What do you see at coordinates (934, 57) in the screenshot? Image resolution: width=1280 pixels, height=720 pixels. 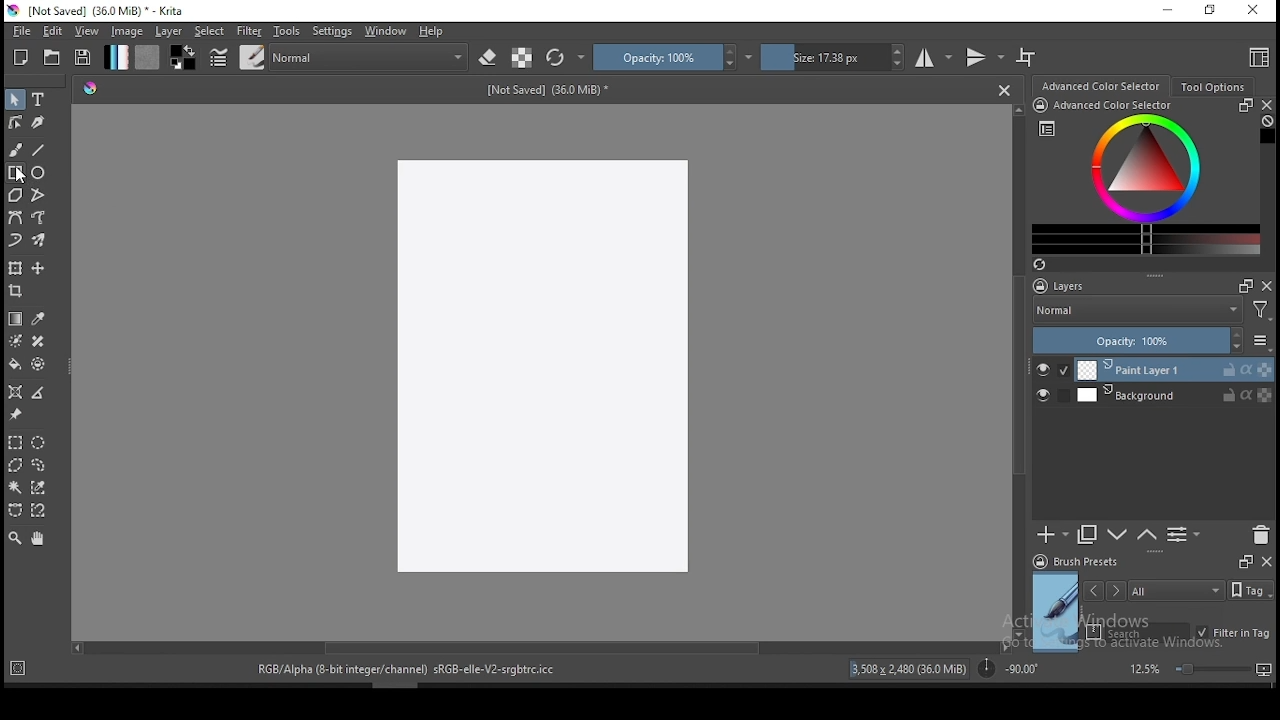 I see `horizontal mirror tool` at bounding box center [934, 57].